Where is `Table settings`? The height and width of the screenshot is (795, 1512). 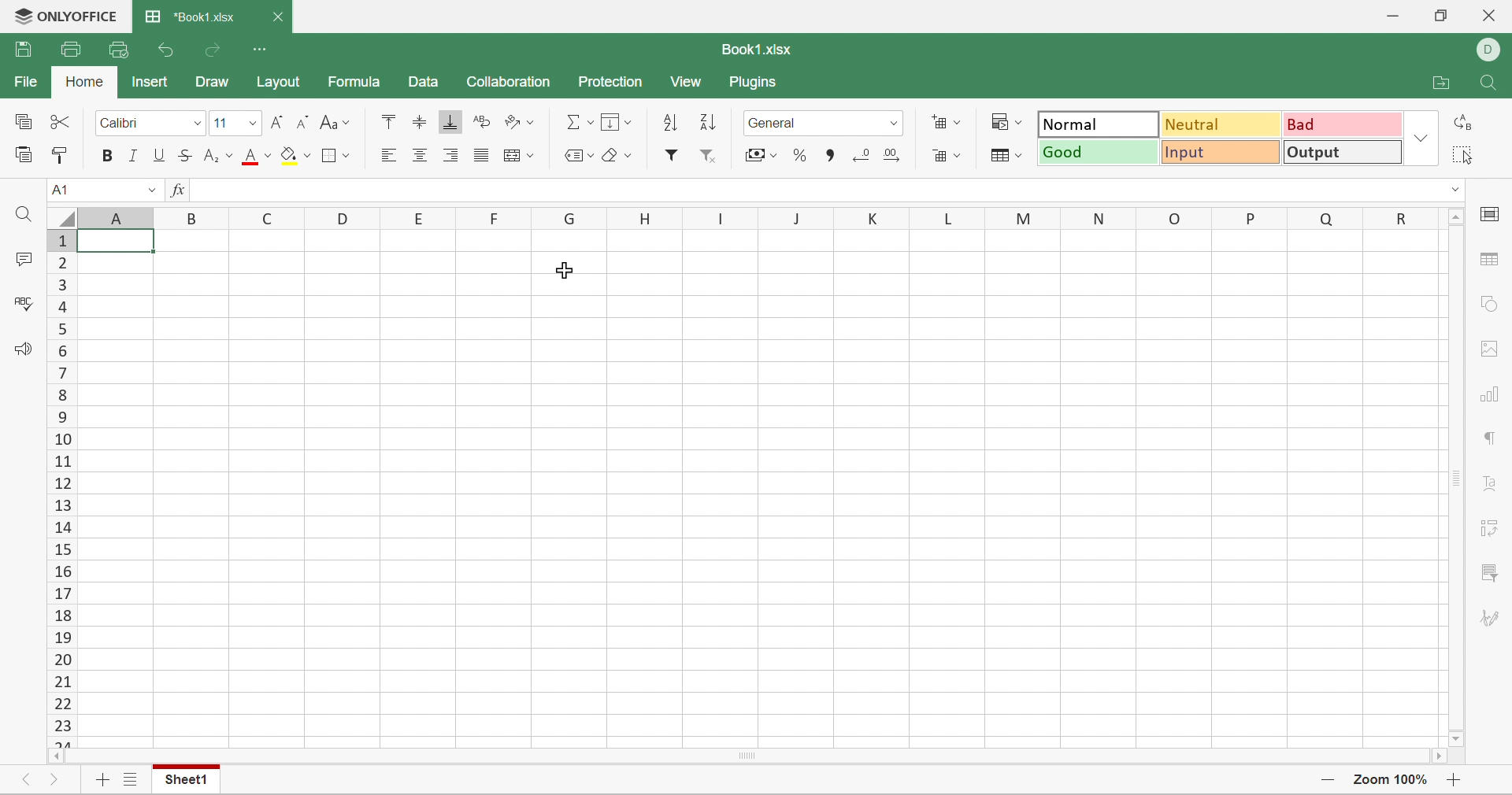
Table settings is located at coordinates (1493, 261).